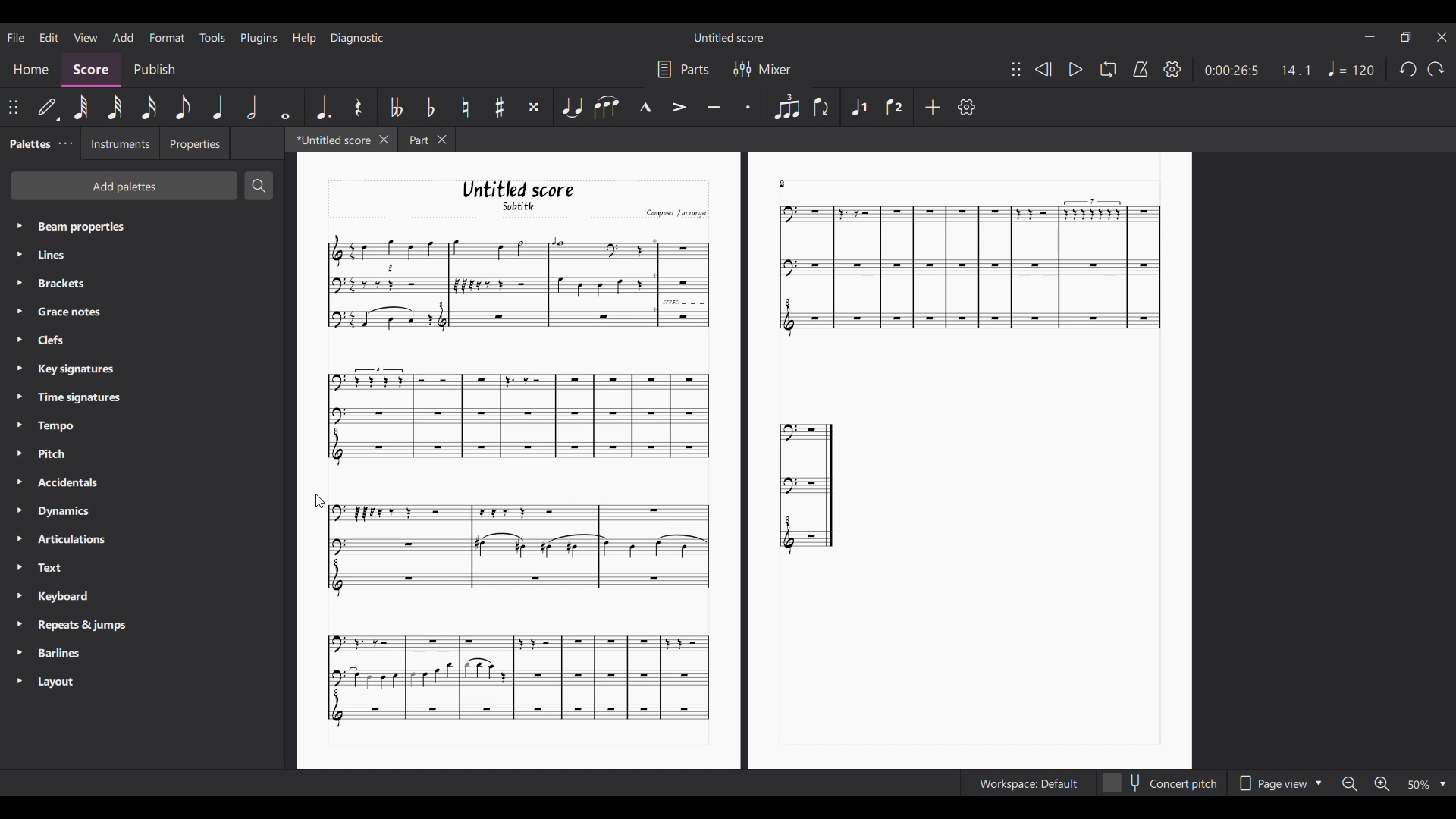 The width and height of the screenshot is (1456, 819). I want to click on Concert pitch, so click(1159, 783).